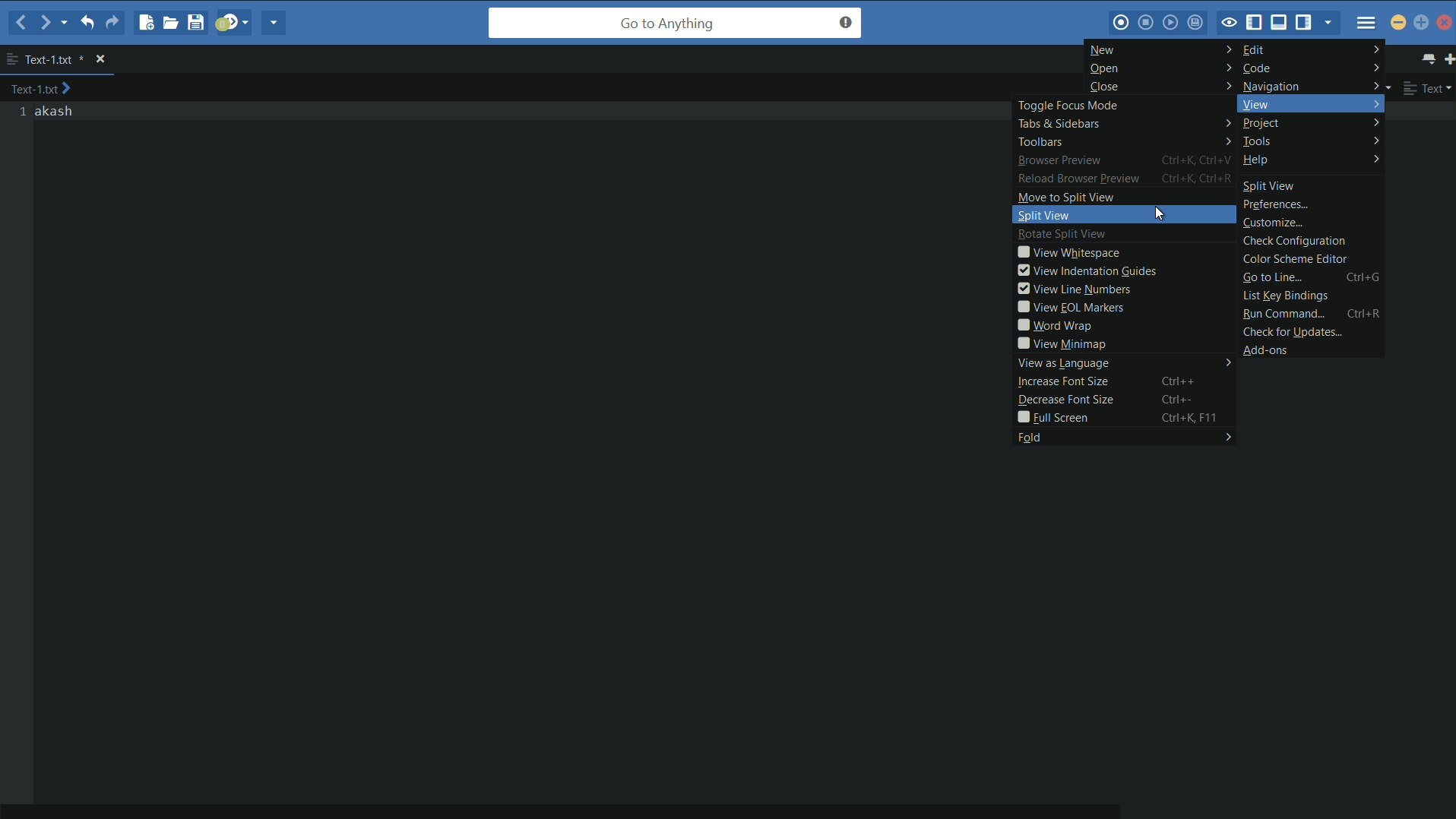 This screenshot has width=1456, height=819. I want to click on text-1 file, so click(55, 60).